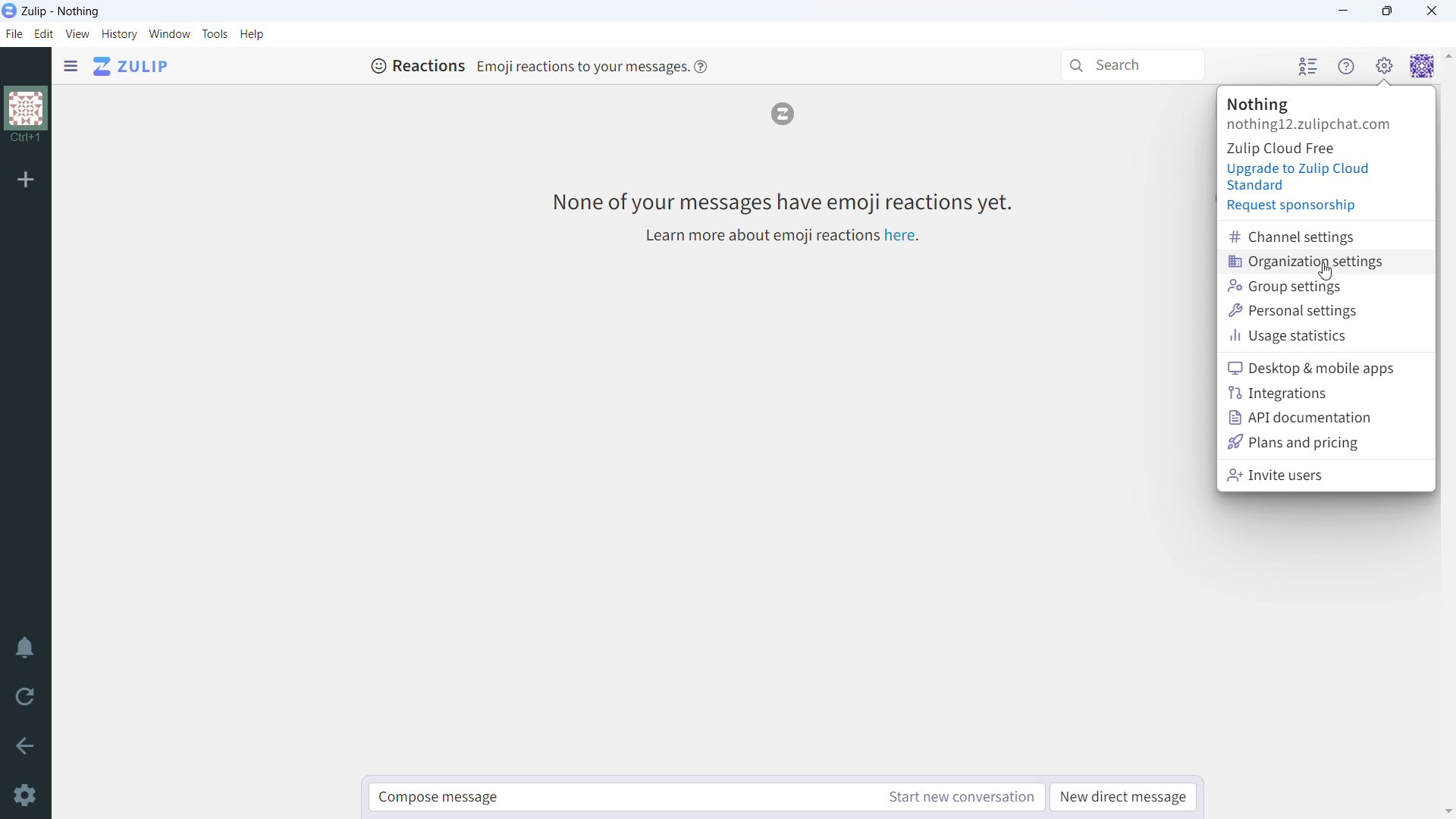  Describe the element at coordinates (71, 66) in the screenshot. I see `open sidebar menu` at that location.